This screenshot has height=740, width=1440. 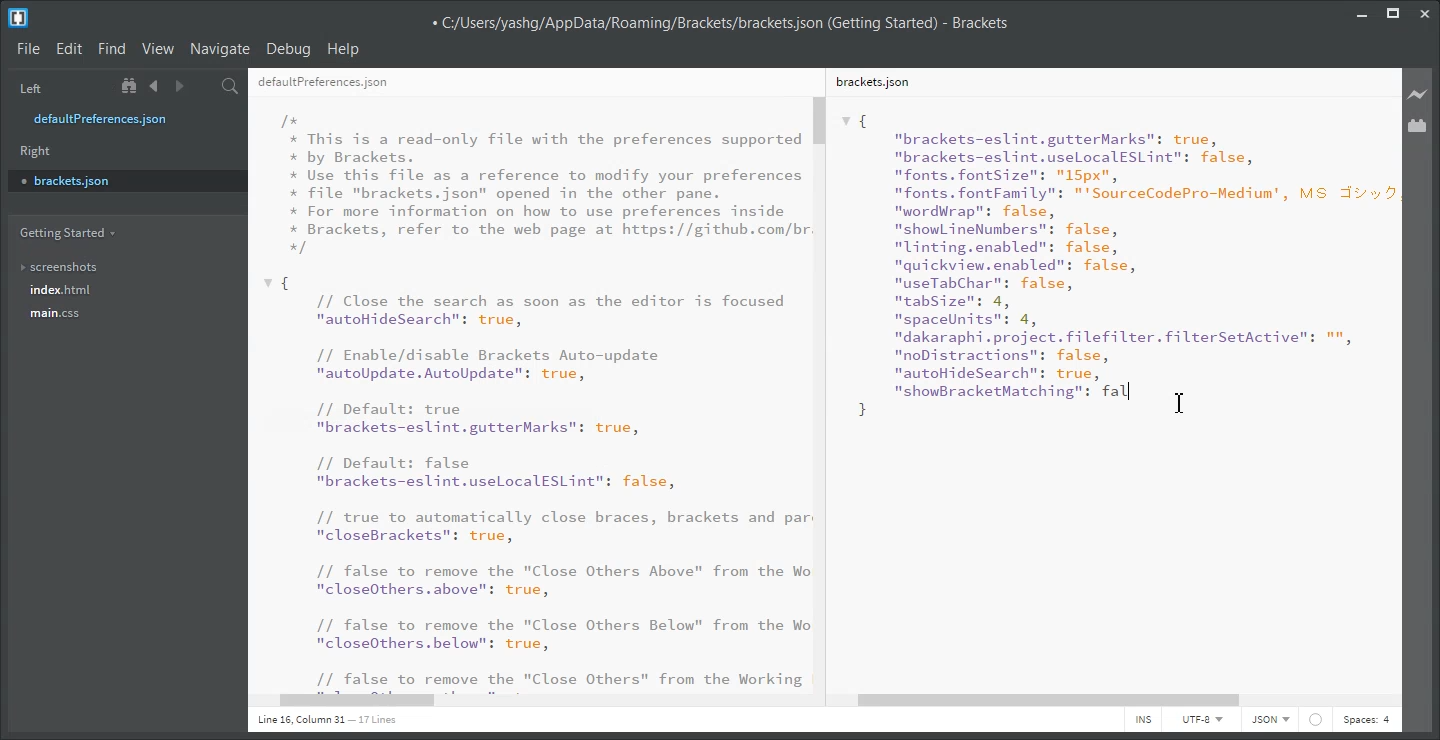 What do you see at coordinates (1418, 93) in the screenshot?
I see `Live Preview` at bounding box center [1418, 93].